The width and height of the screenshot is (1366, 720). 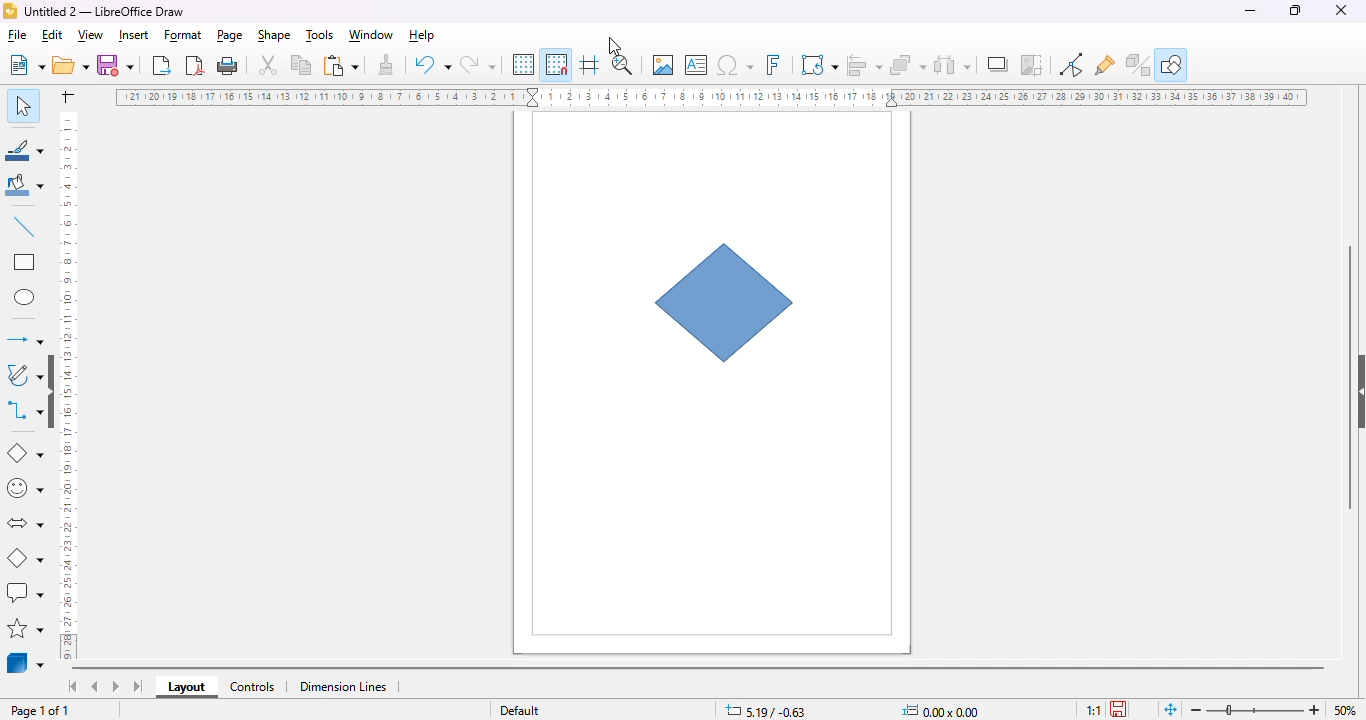 What do you see at coordinates (1357, 394) in the screenshot?
I see `show` at bounding box center [1357, 394].